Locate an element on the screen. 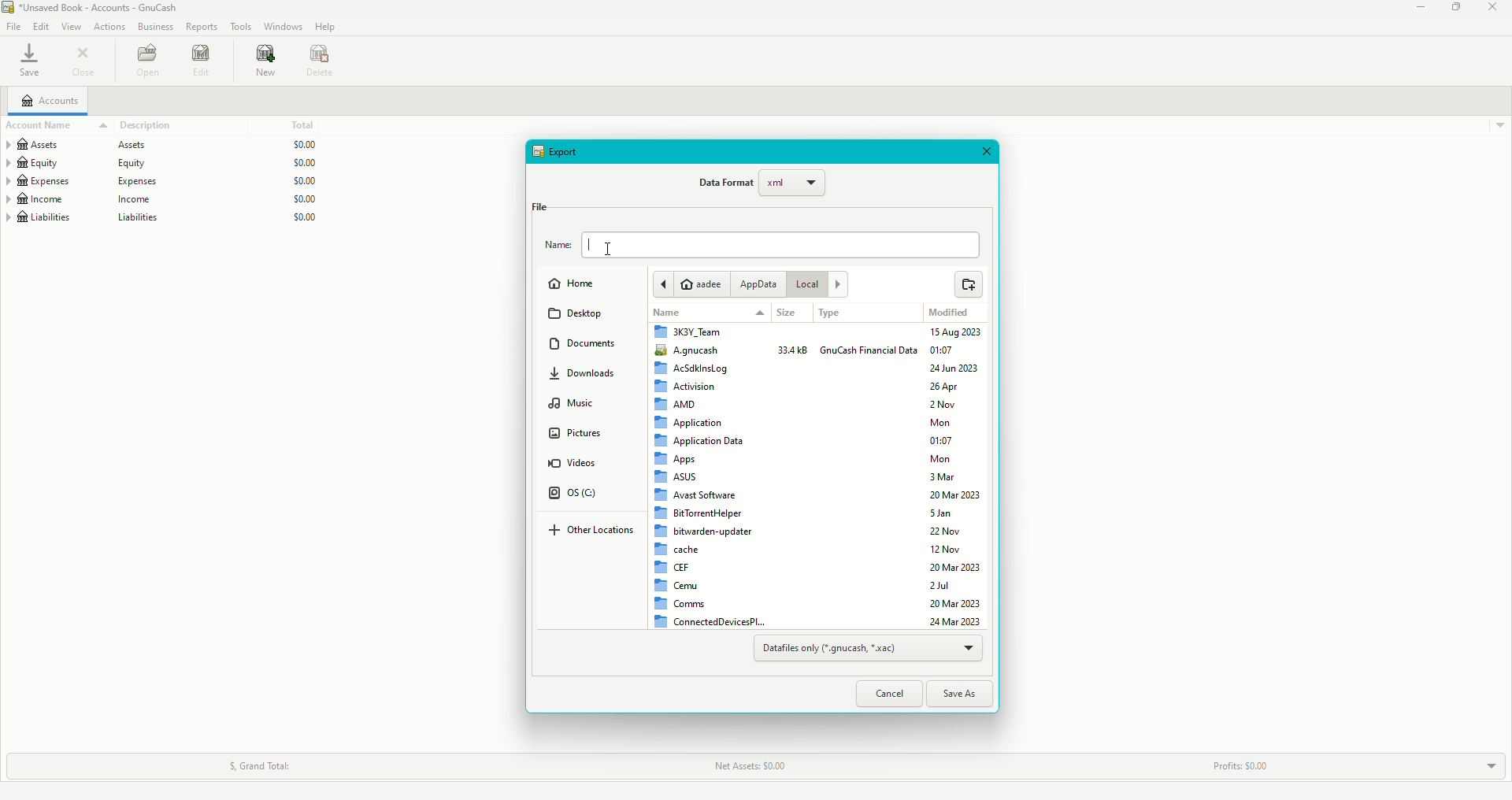 The height and width of the screenshot is (800, 1512). Profits is located at coordinates (1237, 761).